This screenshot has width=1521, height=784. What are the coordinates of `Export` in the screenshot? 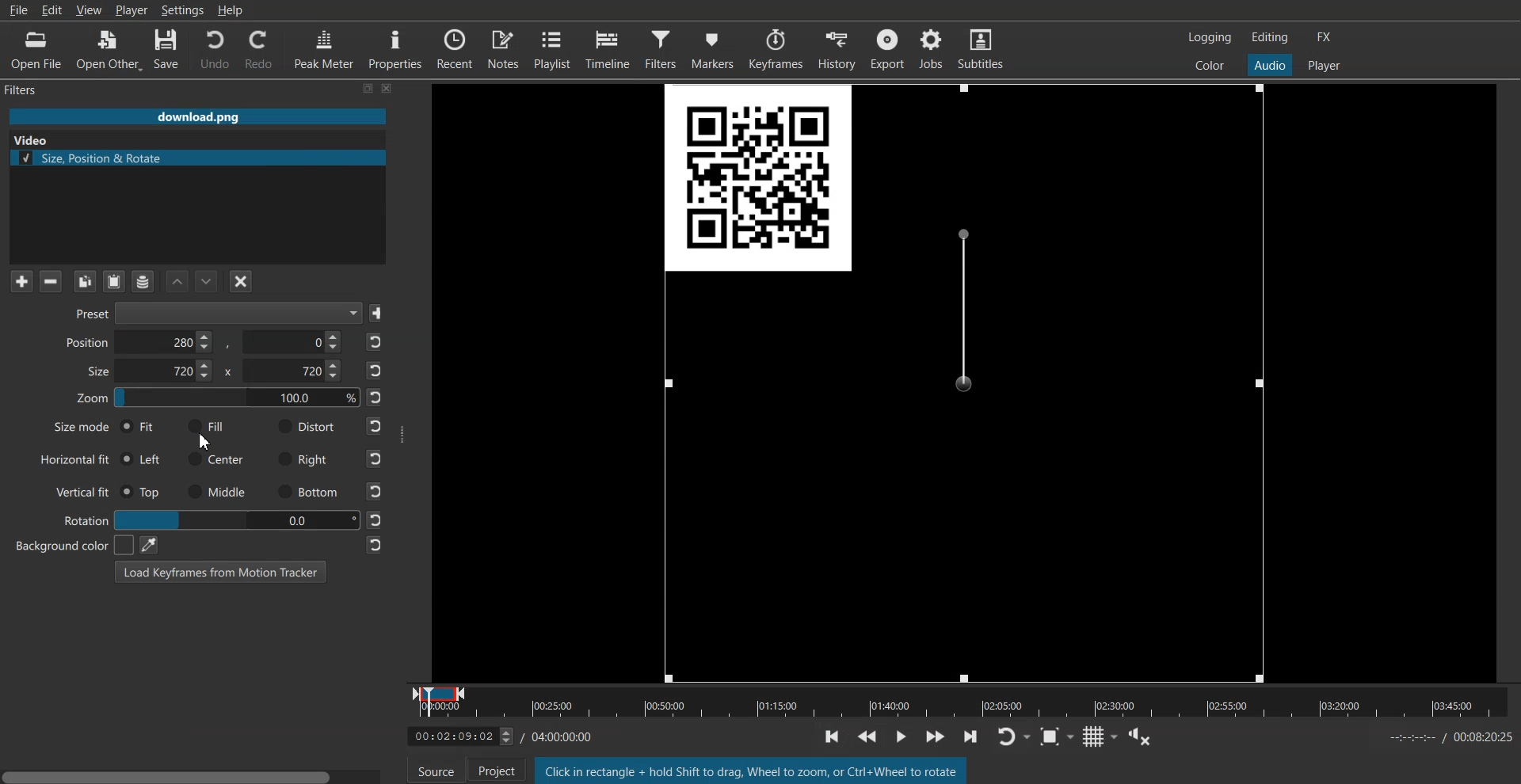 It's located at (886, 47).